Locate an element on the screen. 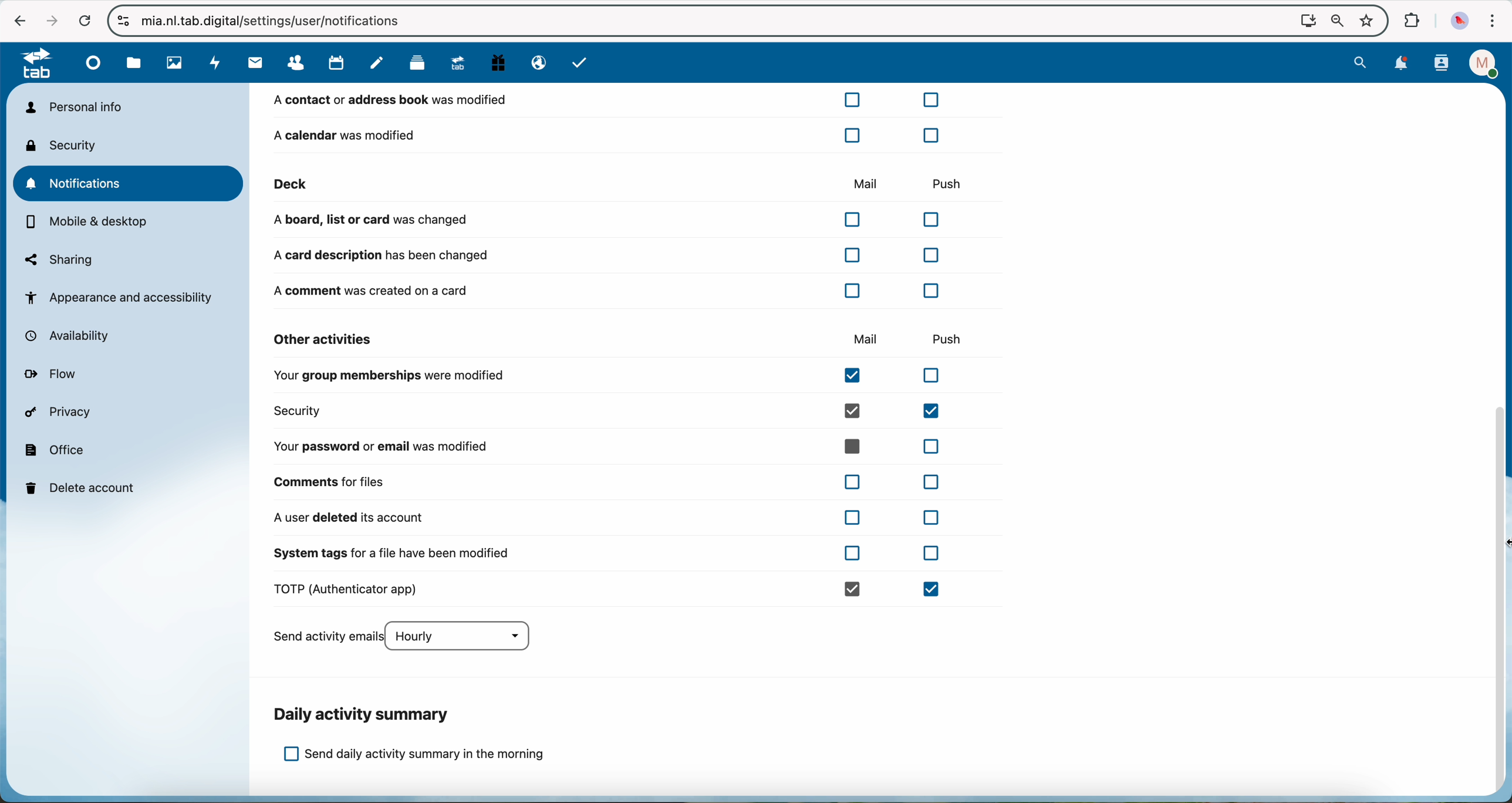  office is located at coordinates (56, 449).